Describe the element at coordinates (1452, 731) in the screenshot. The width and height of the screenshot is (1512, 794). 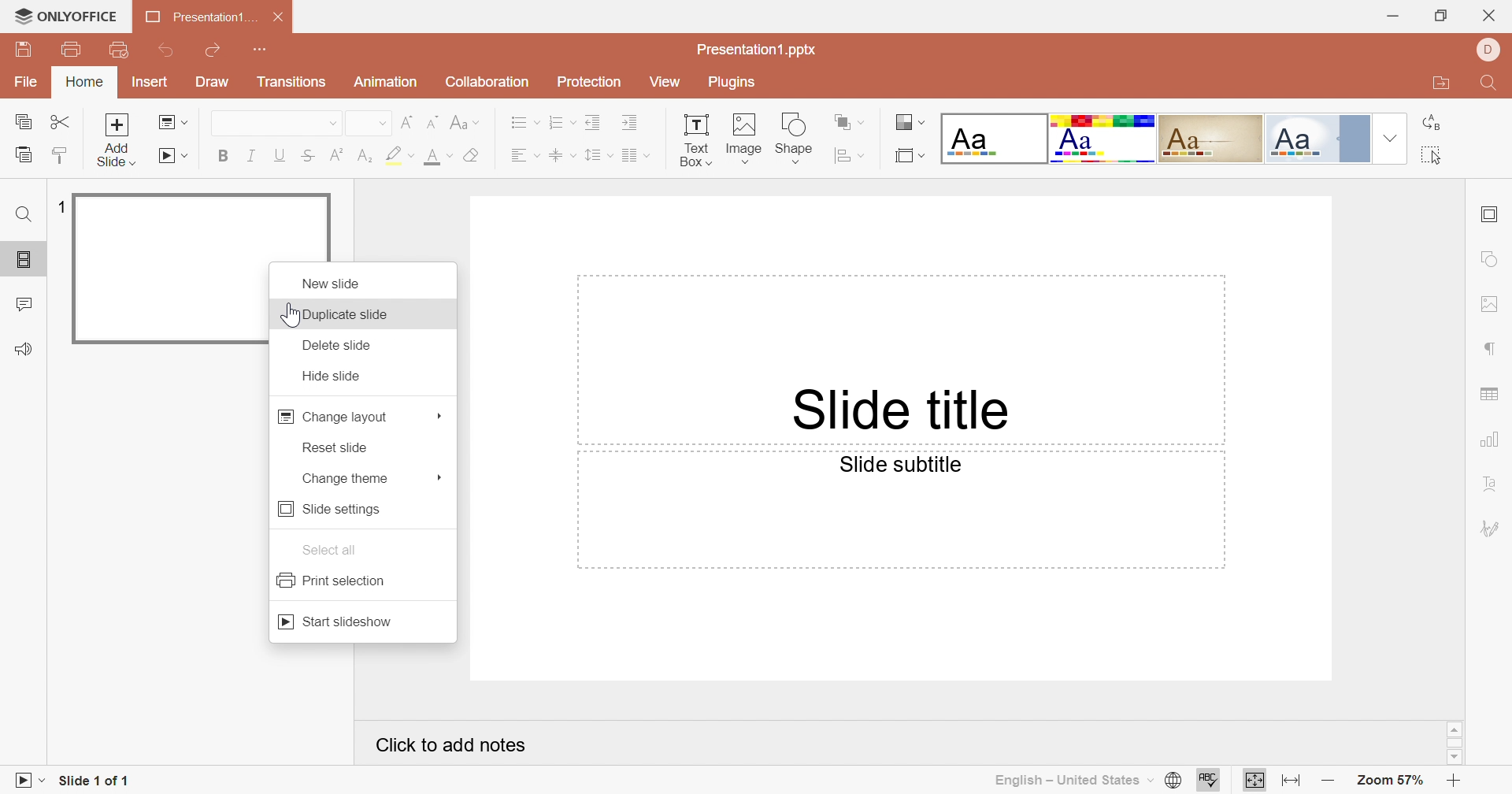
I see `Scroll up` at that location.